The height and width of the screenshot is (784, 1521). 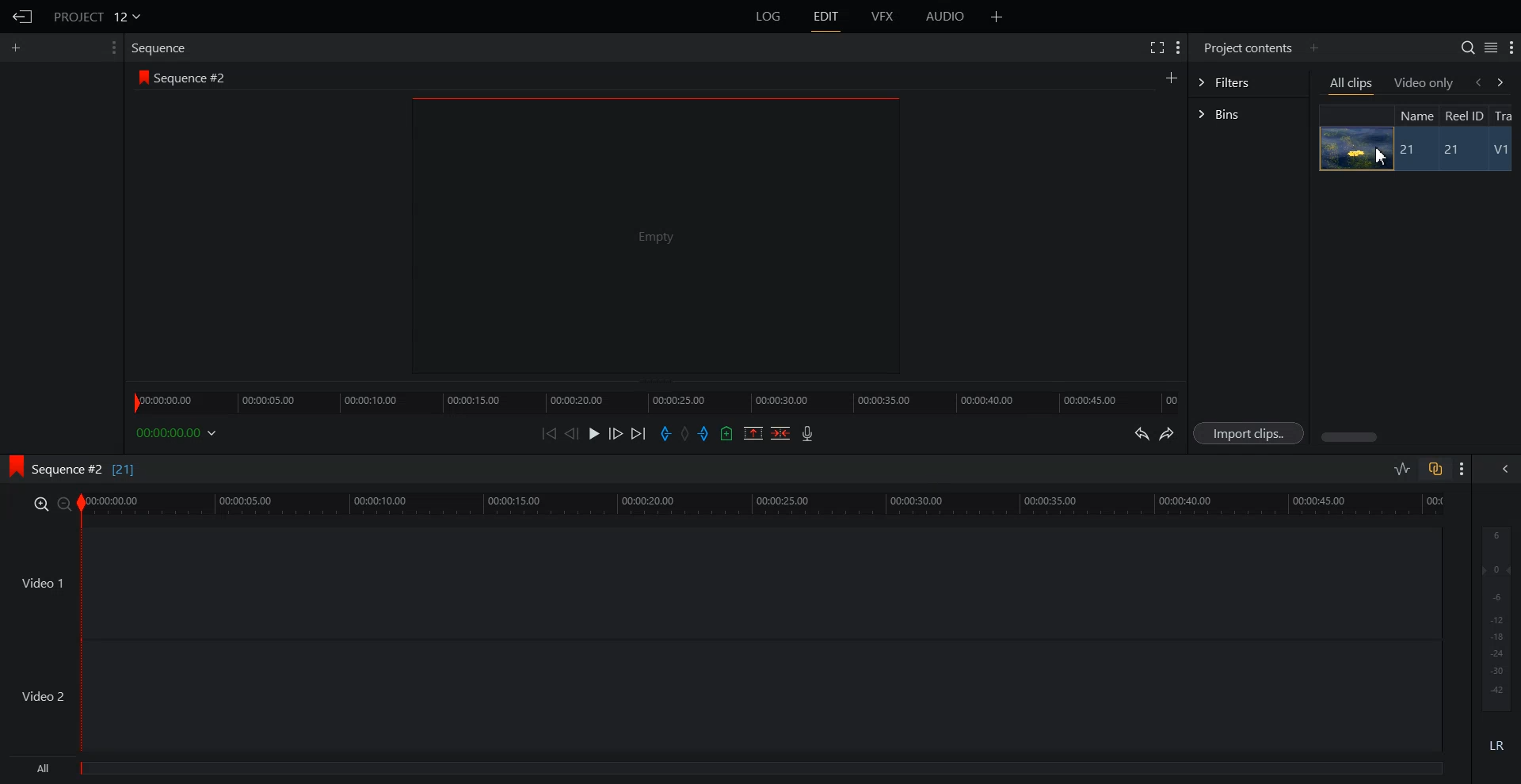 I want to click on Project contents, so click(x=1246, y=46).